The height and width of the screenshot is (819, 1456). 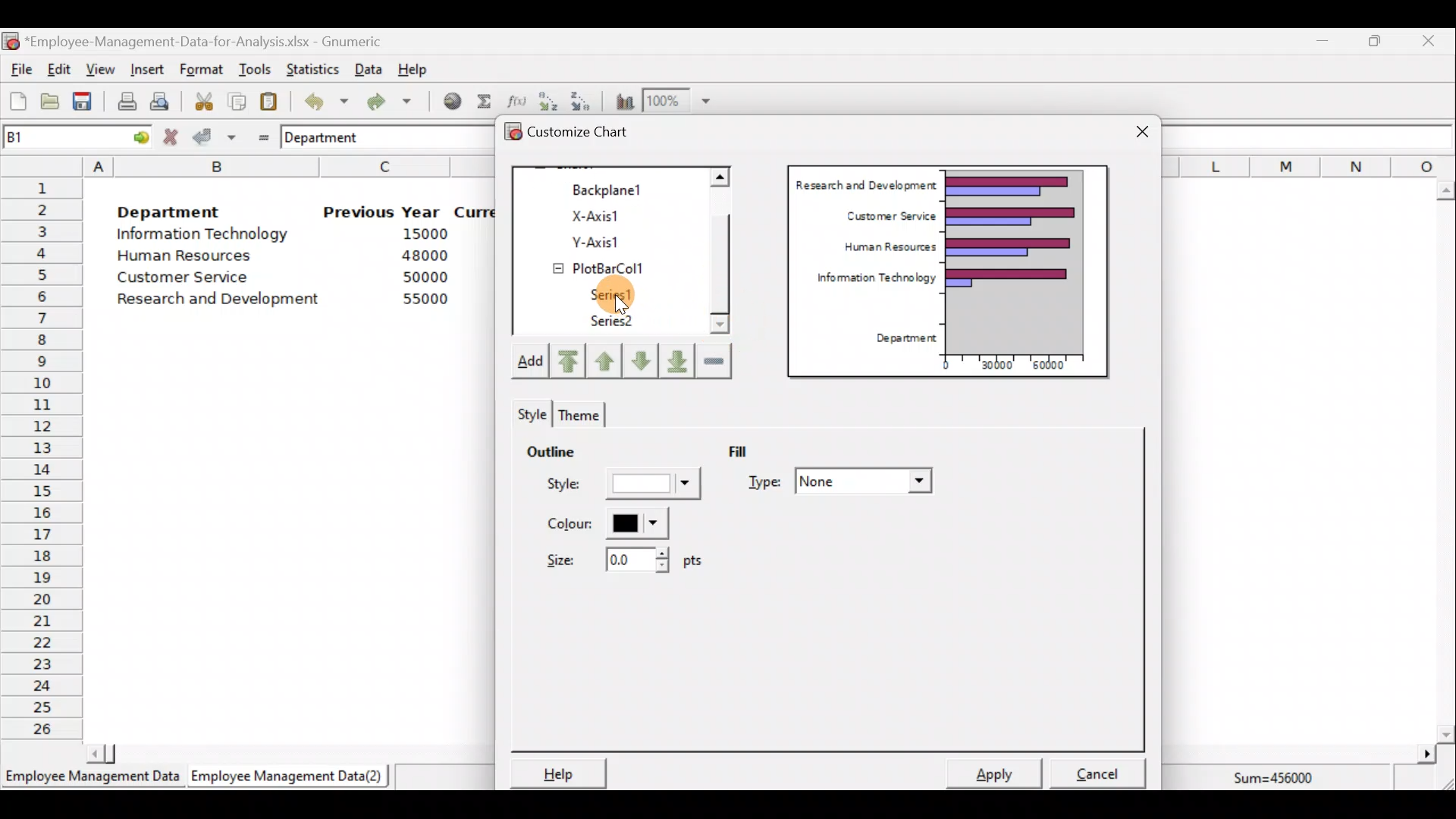 I want to click on Create a new workbook, so click(x=18, y=101).